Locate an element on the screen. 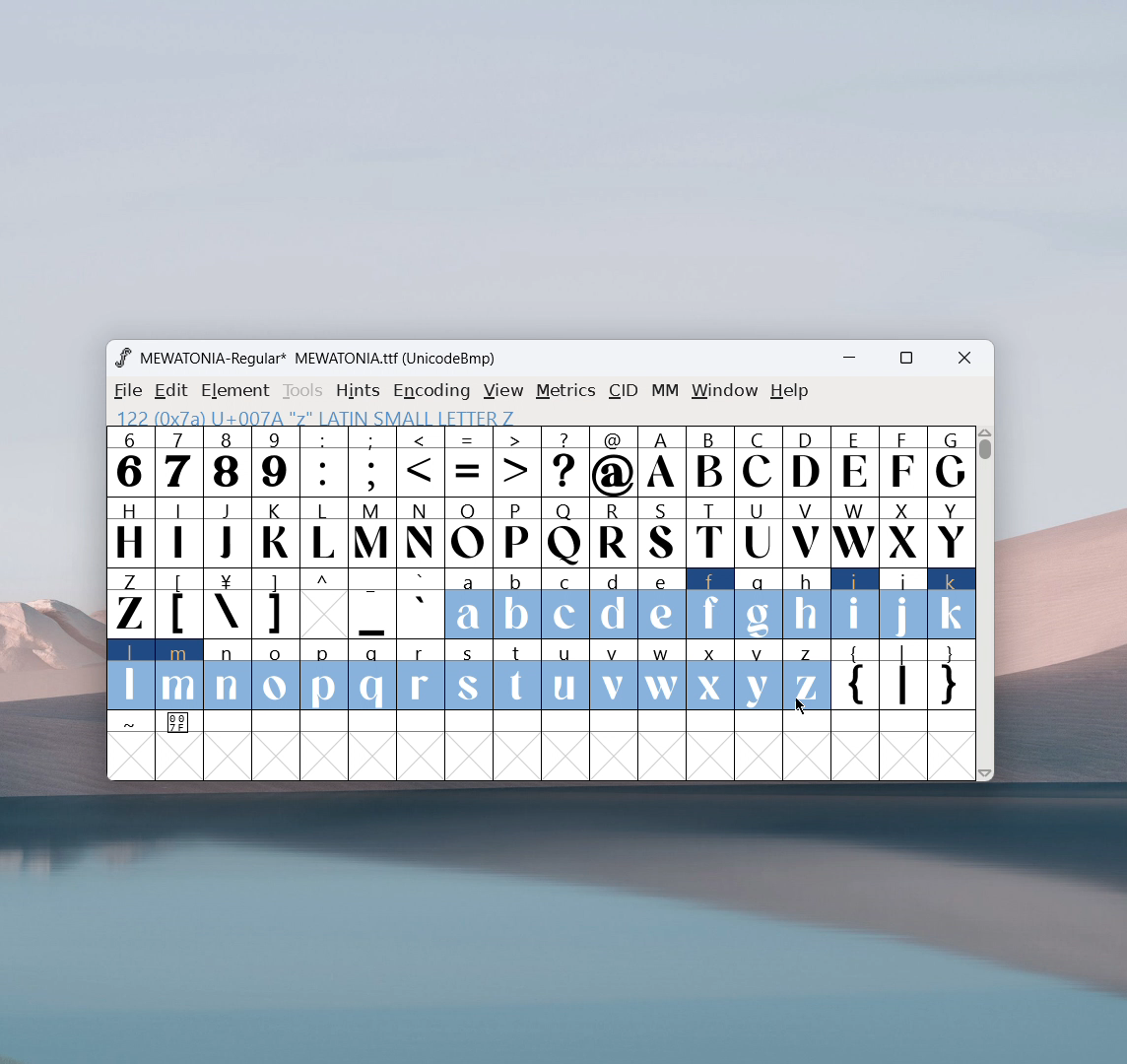 This screenshot has height=1064, width=1127. g is located at coordinates (759, 602).